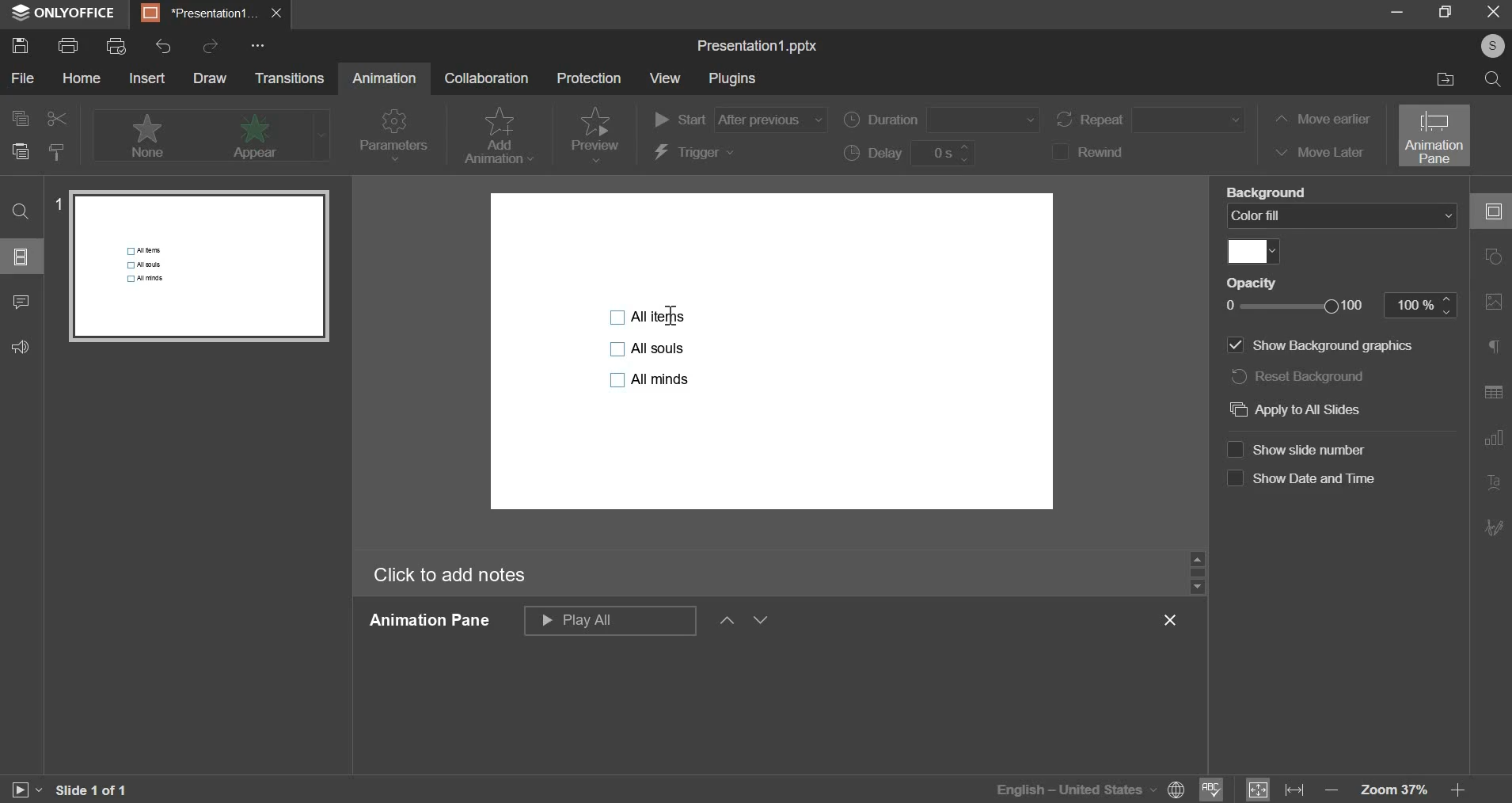 Image resolution: width=1512 pixels, height=803 pixels. I want to click on none, so click(145, 135).